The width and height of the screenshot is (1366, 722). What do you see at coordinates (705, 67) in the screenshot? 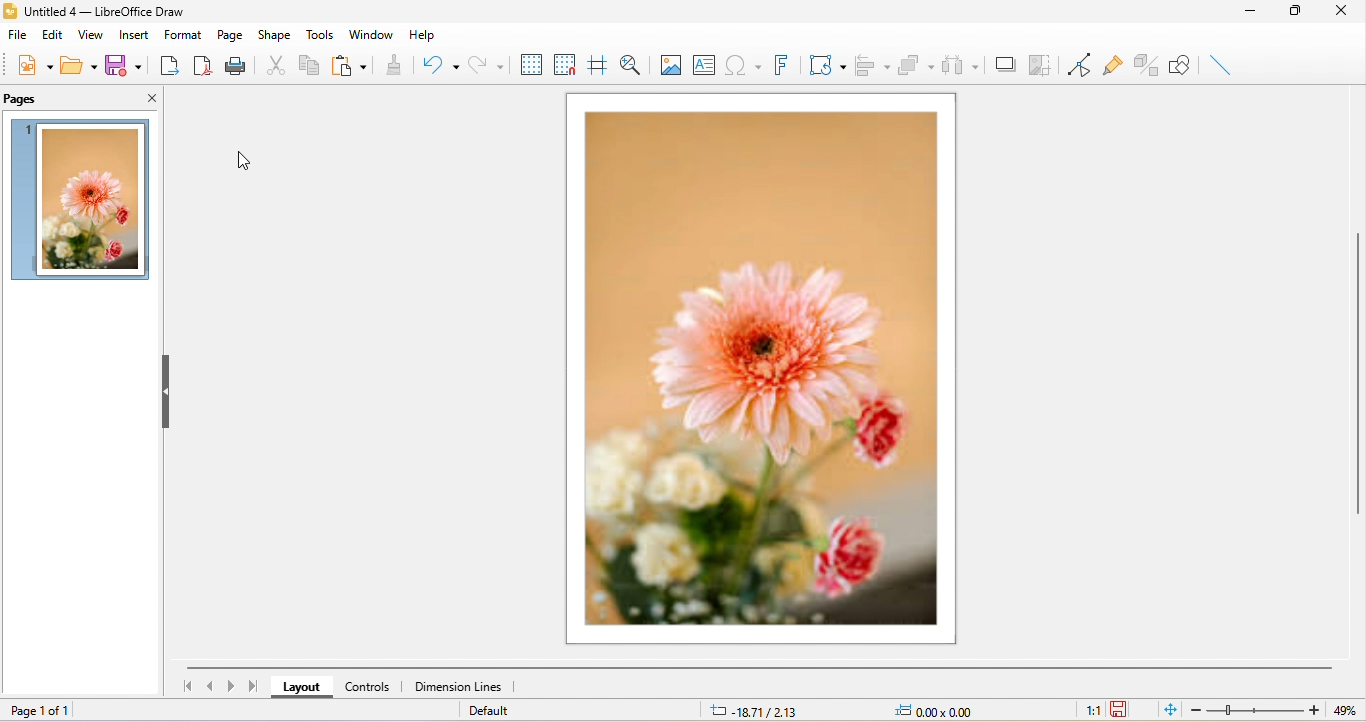
I see `text box` at bounding box center [705, 67].